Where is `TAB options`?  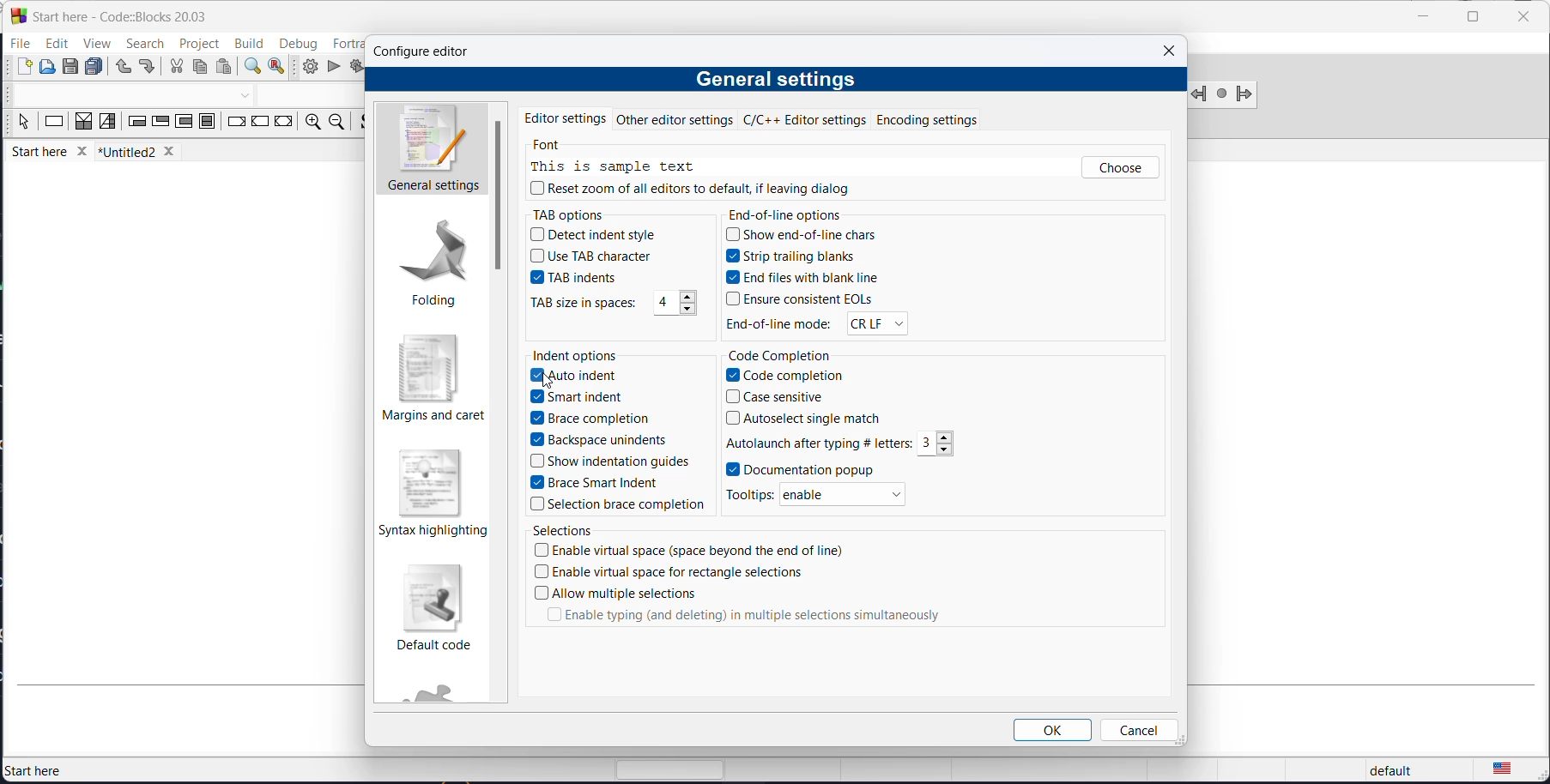 TAB options is located at coordinates (580, 215).